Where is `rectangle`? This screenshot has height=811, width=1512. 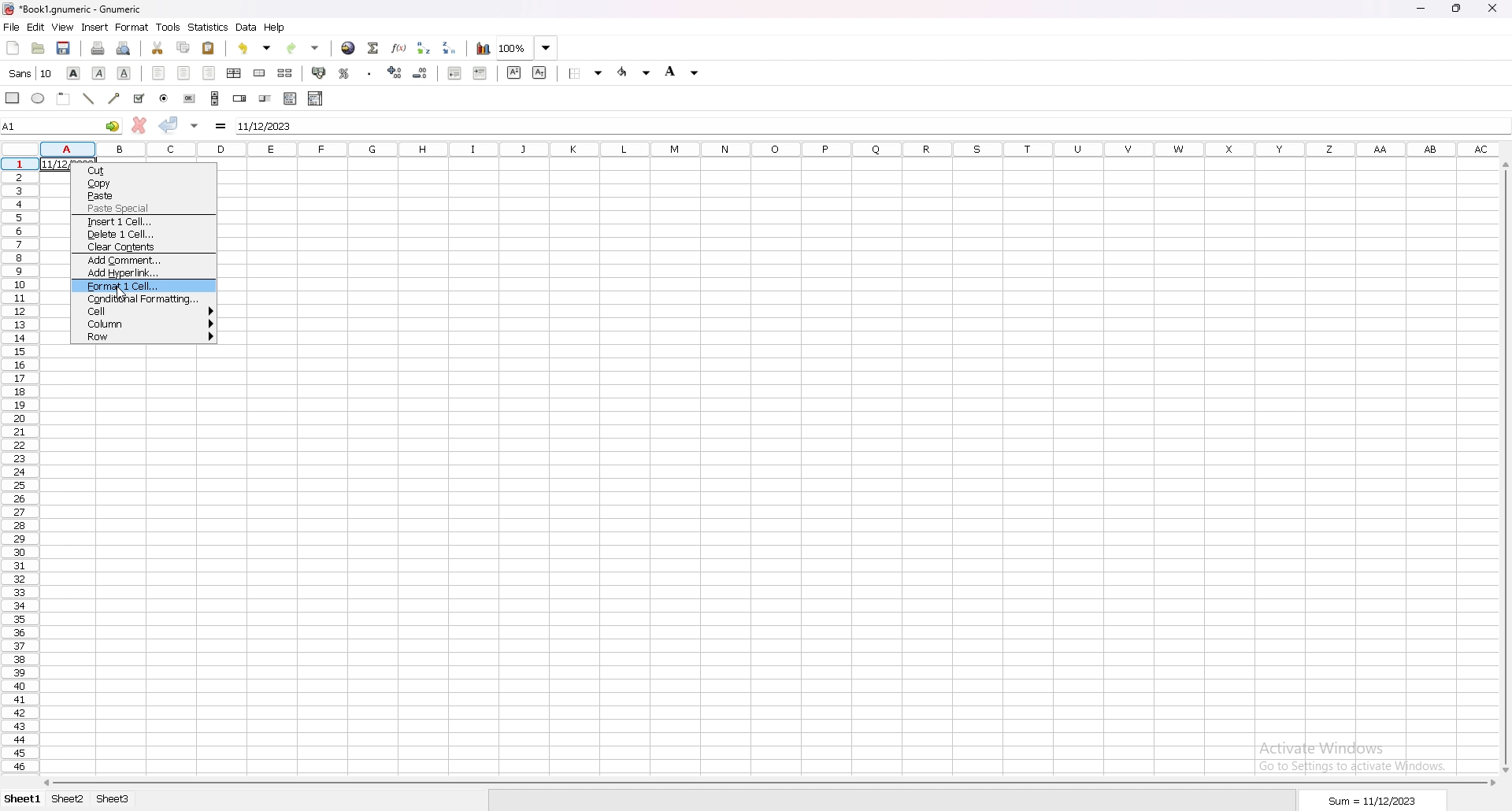
rectangle is located at coordinates (12, 98).